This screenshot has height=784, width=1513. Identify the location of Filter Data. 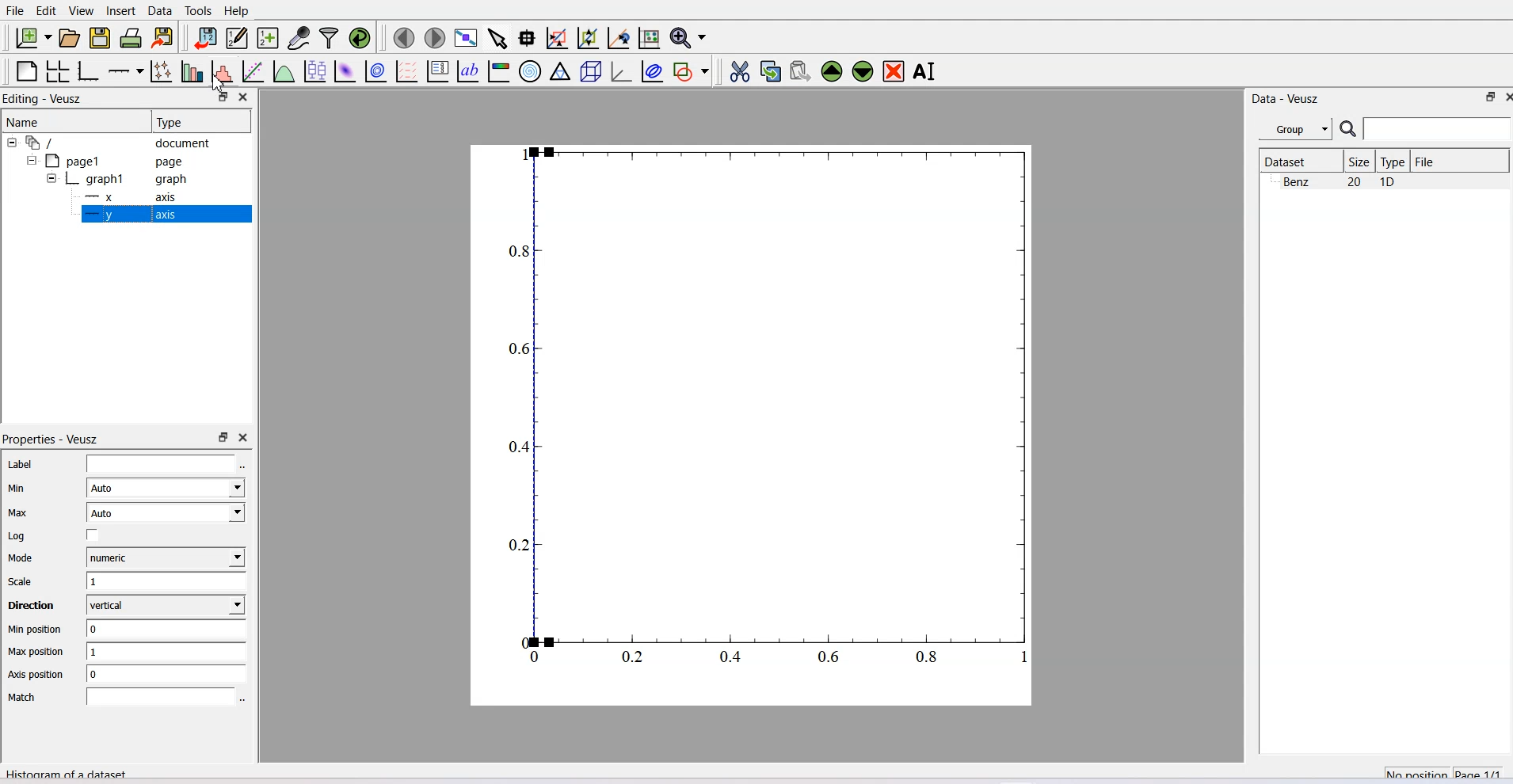
(330, 37).